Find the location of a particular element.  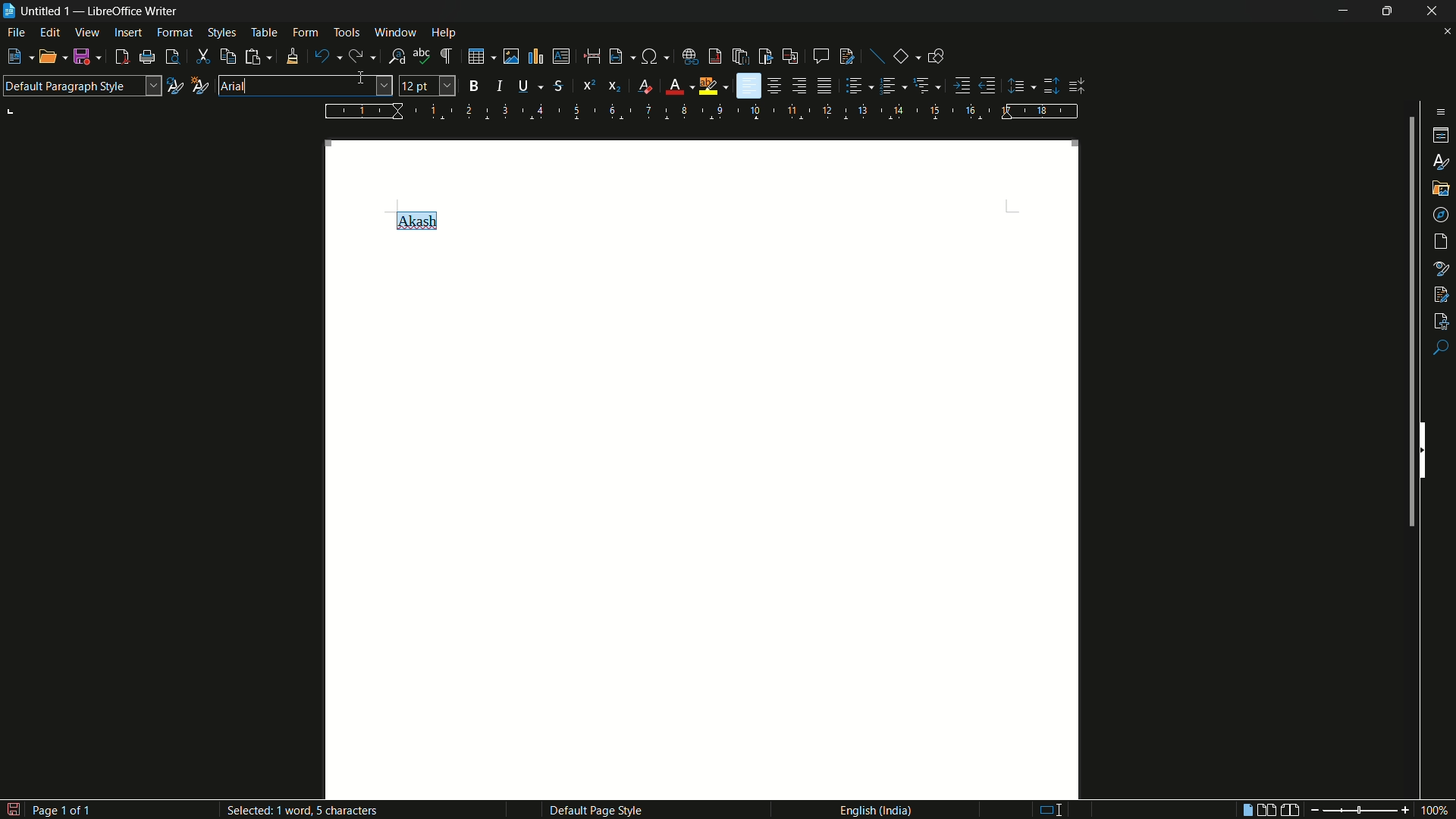

redo is located at coordinates (359, 56).